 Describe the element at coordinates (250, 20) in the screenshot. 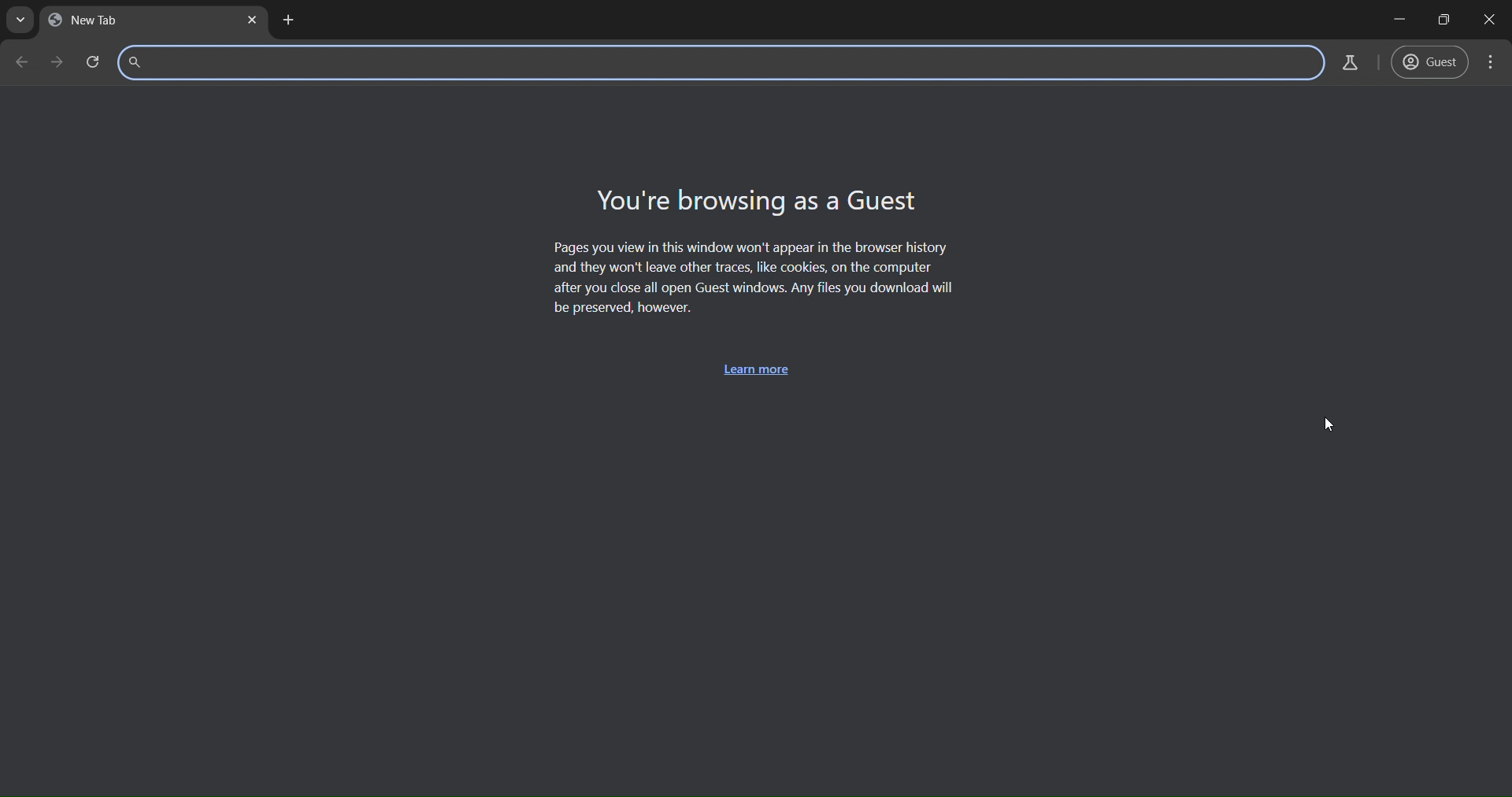

I see `close tab` at that location.